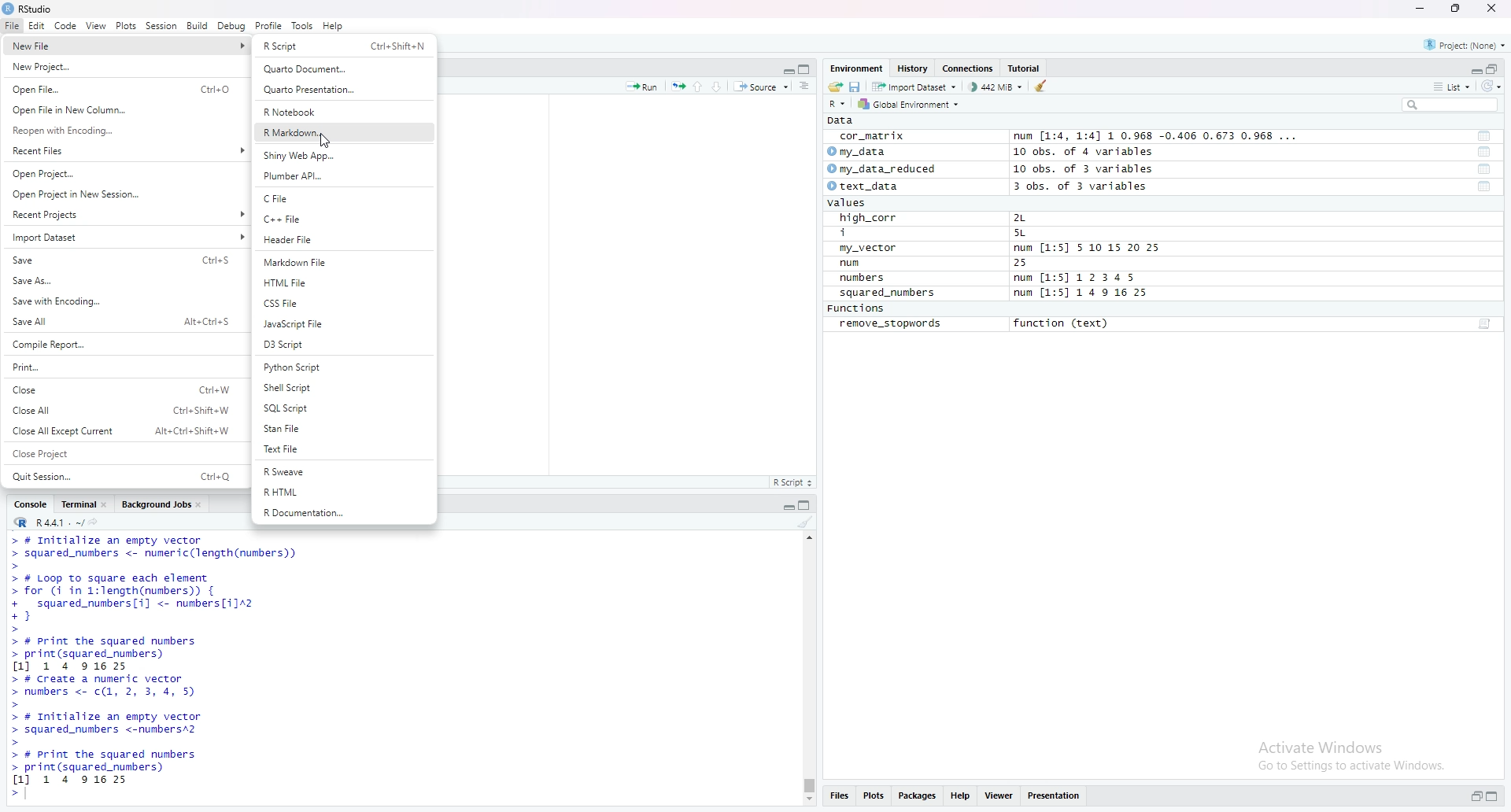 This screenshot has height=812, width=1511. What do you see at coordinates (345, 131) in the screenshot?
I see `R Markdown.` at bounding box center [345, 131].